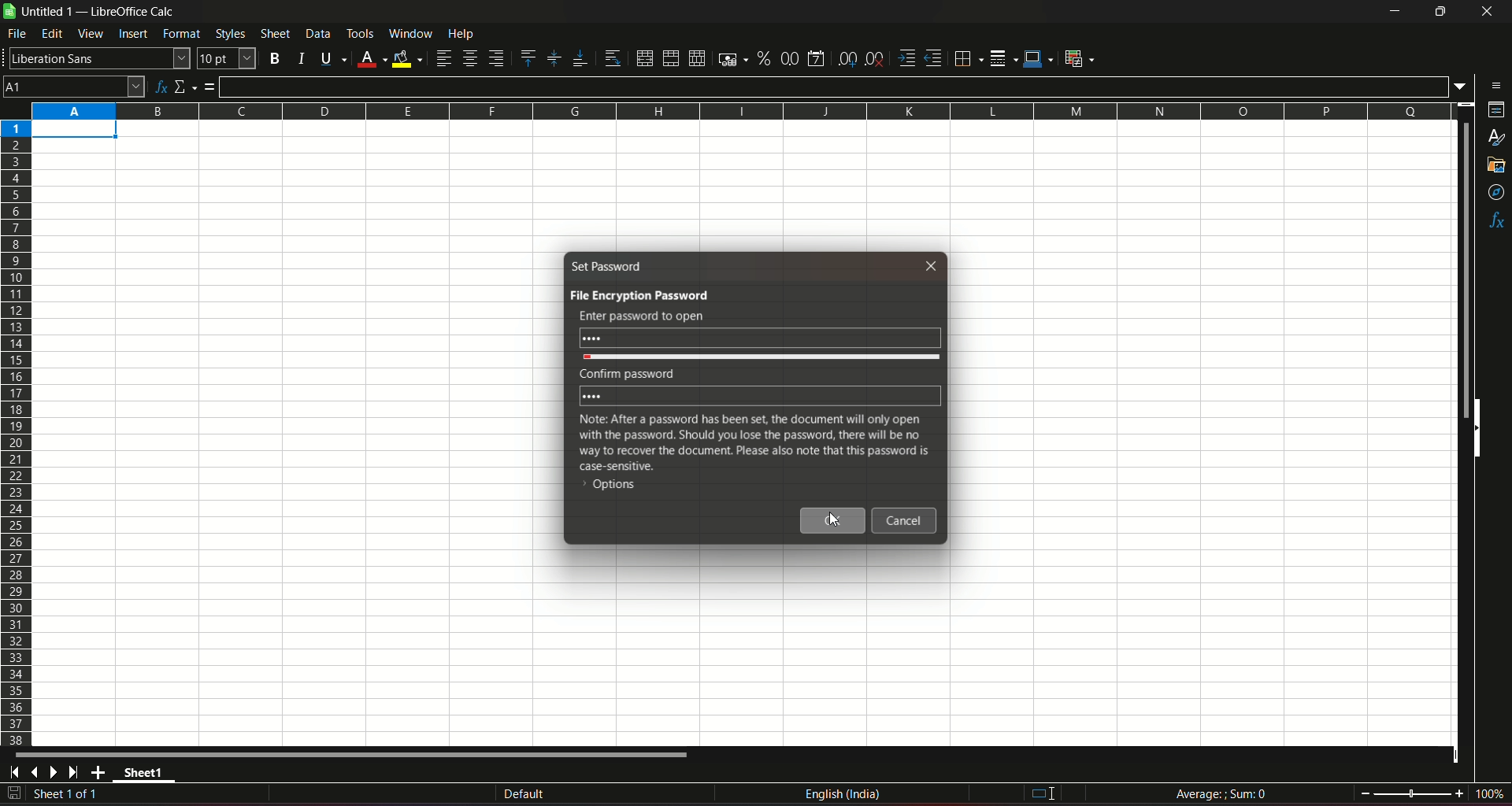 Image resolution: width=1512 pixels, height=806 pixels. Describe the element at coordinates (1040, 793) in the screenshot. I see `standard selection` at that location.